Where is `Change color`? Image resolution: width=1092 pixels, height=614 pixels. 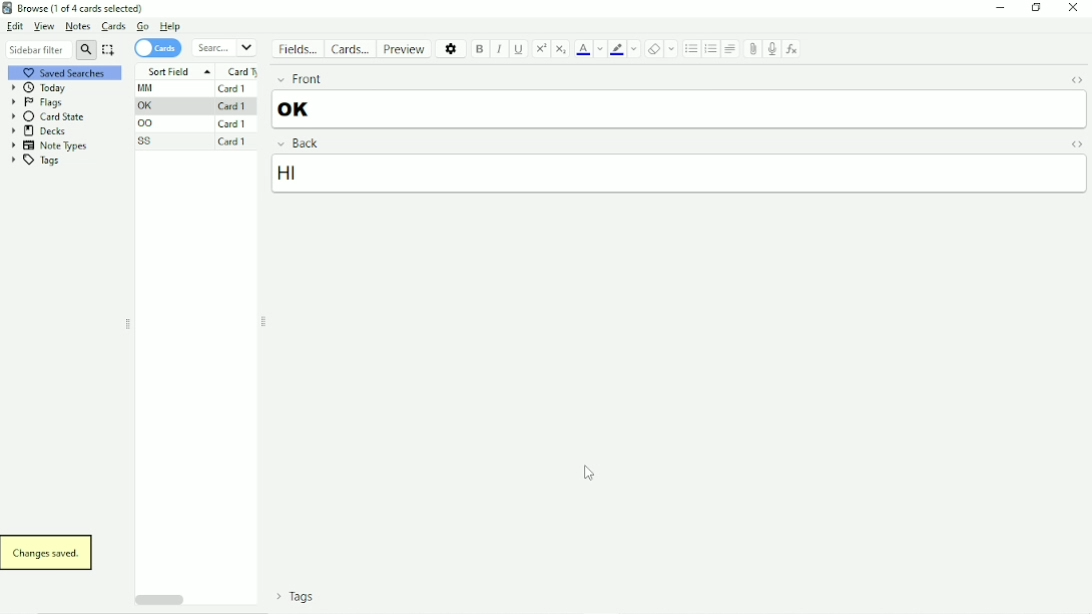
Change color is located at coordinates (635, 50).